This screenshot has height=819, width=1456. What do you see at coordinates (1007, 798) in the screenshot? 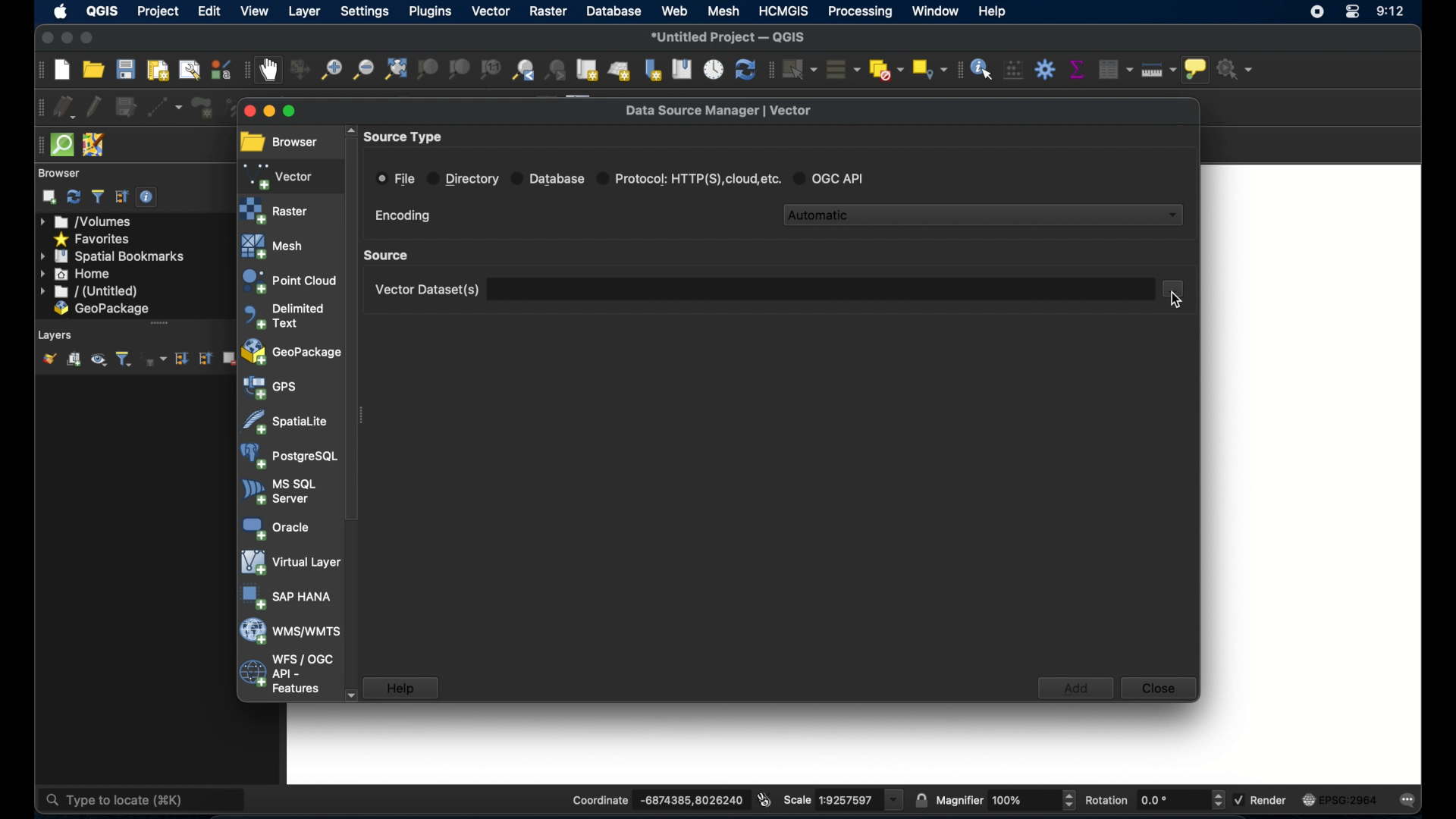
I see `magnifier` at bounding box center [1007, 798].